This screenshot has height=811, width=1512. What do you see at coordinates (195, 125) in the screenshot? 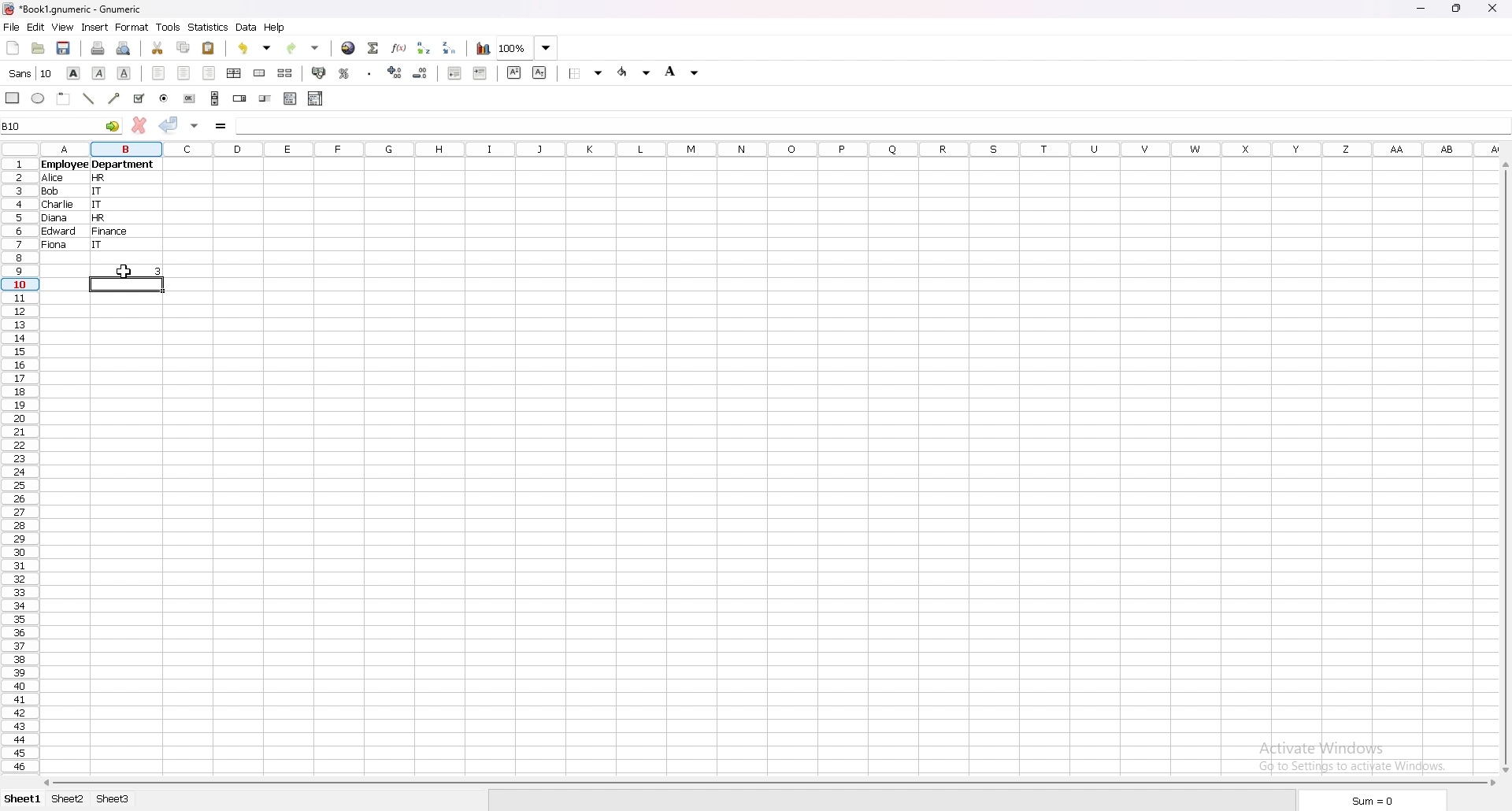
I see `accept changes in all cells` at bounding box center [195, 125].